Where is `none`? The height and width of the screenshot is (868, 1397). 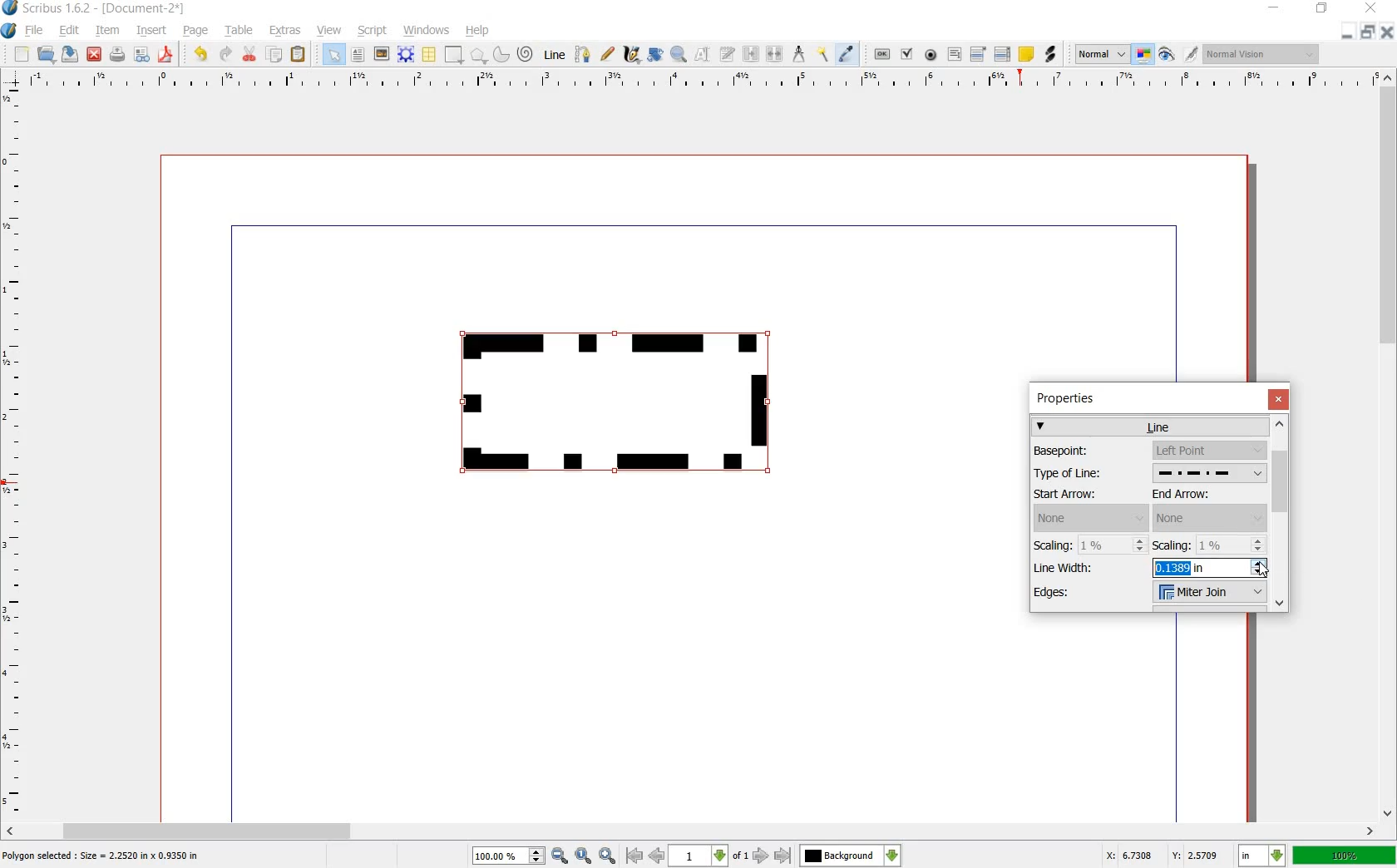 none is located at coordinates (1210, 518).